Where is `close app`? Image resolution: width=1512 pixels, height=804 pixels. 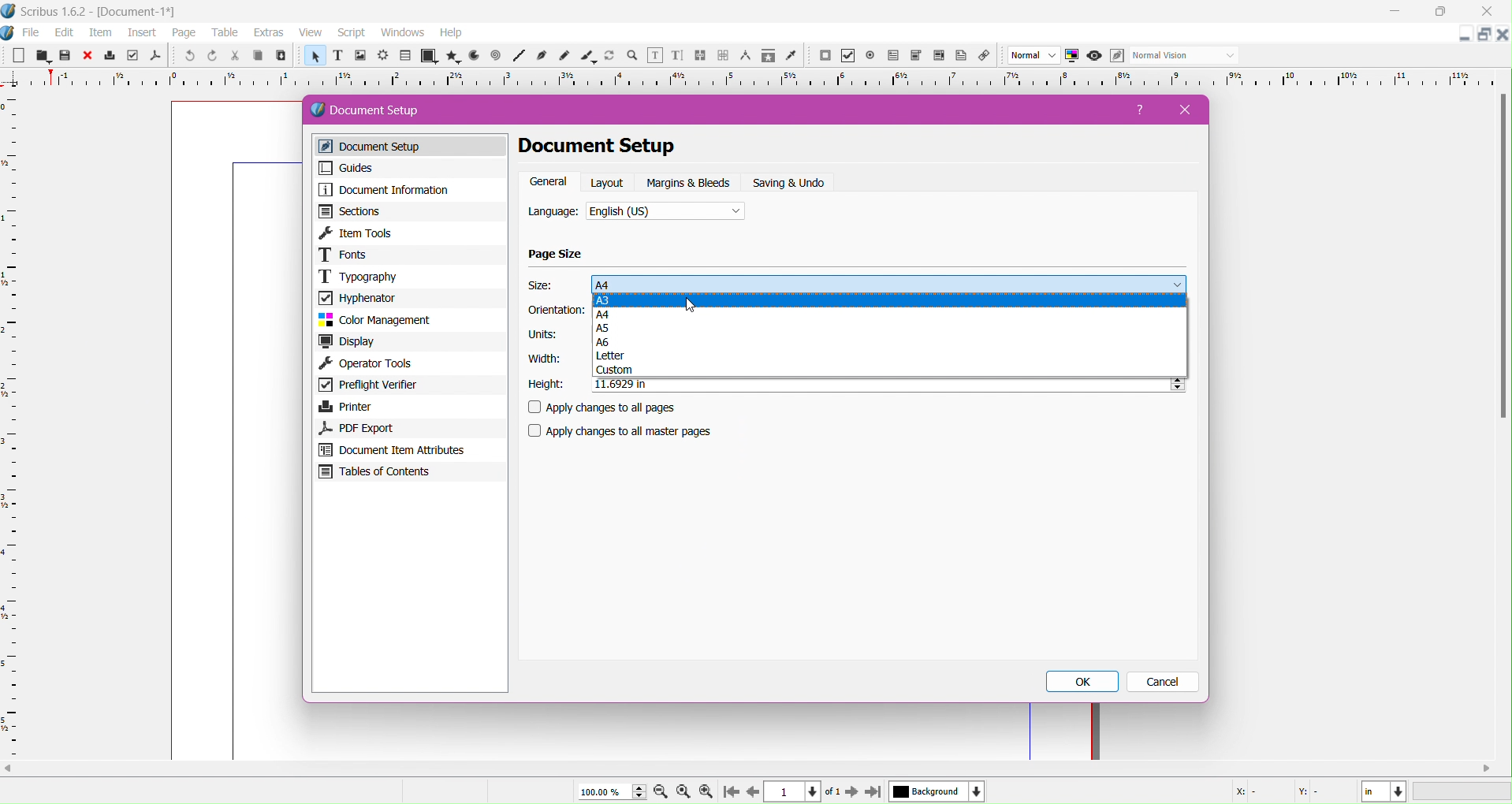
close app is located at coordinates (1492, 10).